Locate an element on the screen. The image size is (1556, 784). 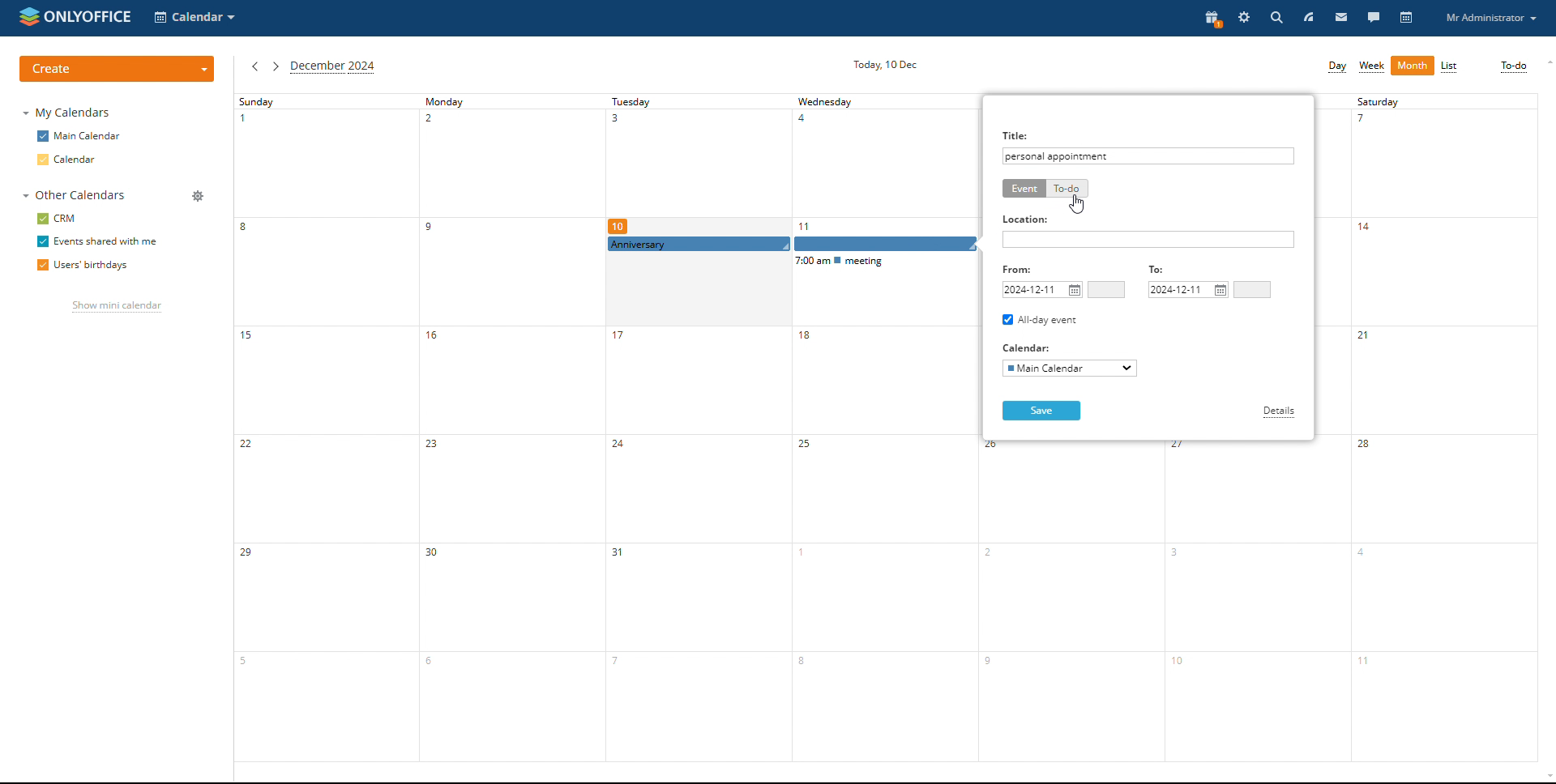
present is located at coordinates (1210, 19).